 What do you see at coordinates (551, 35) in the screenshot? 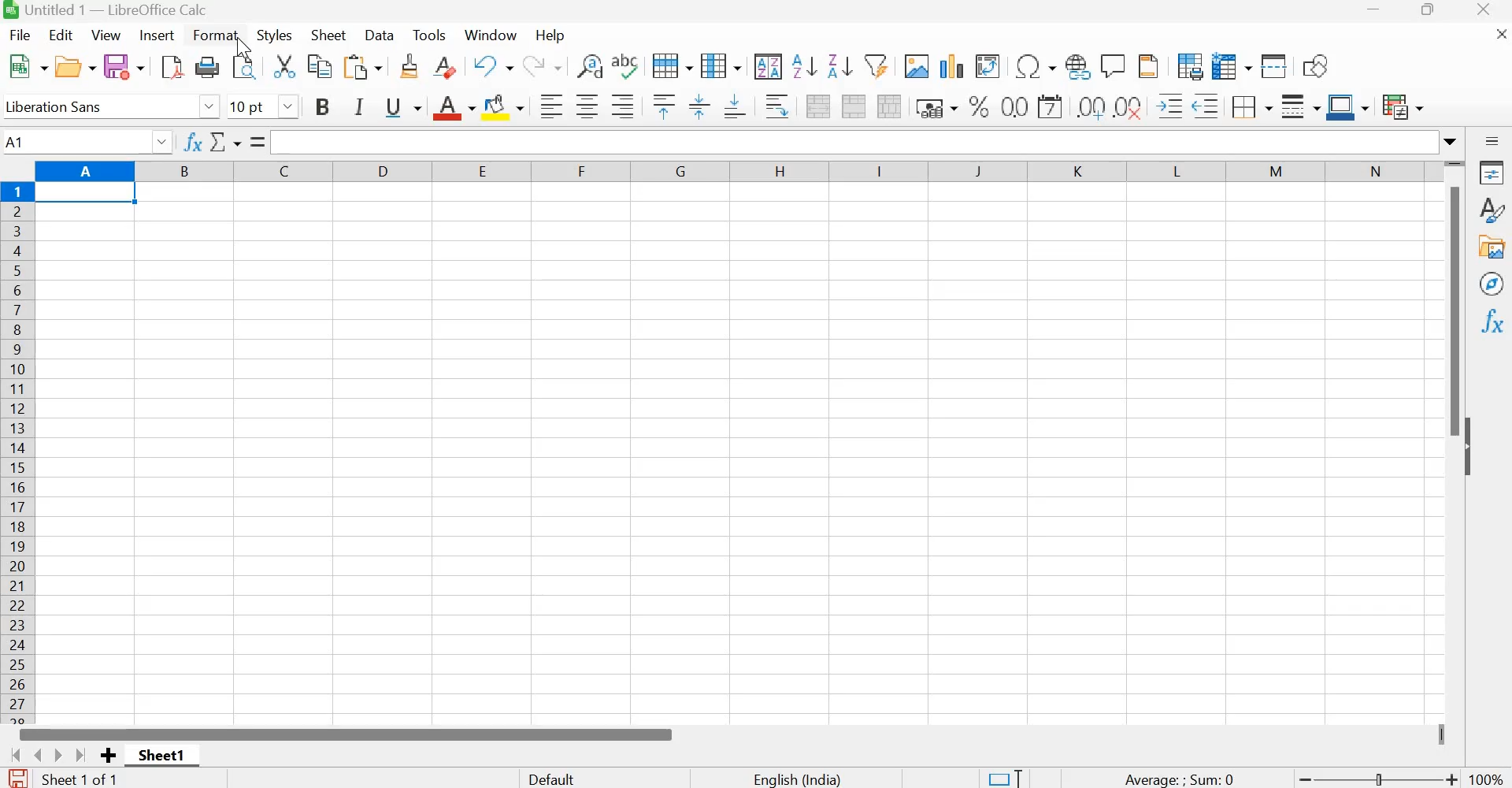
I see `Help` at bounding box center [551, 35].